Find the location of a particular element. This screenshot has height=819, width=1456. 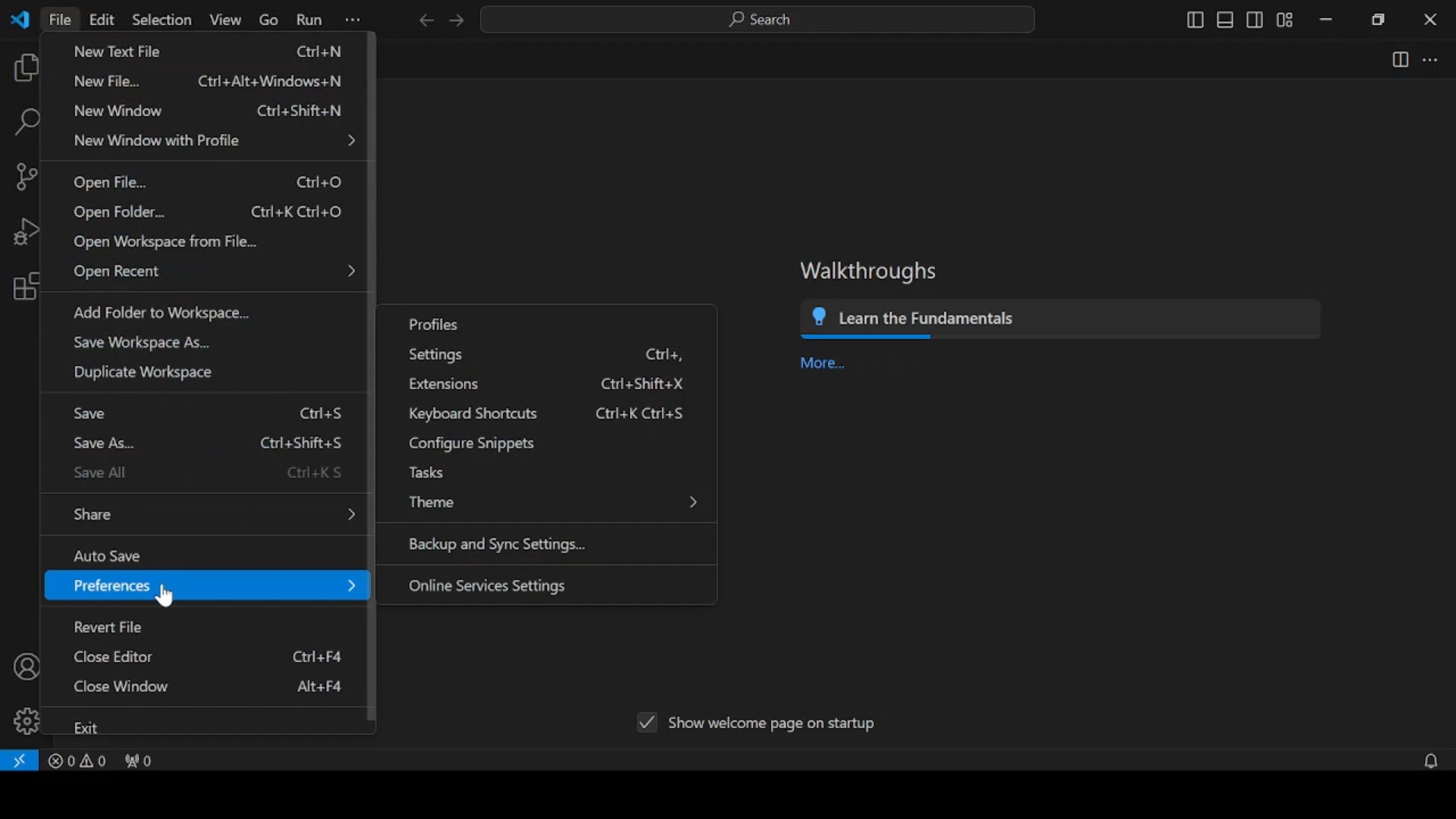

save as  is located at coordinates (104, 444).